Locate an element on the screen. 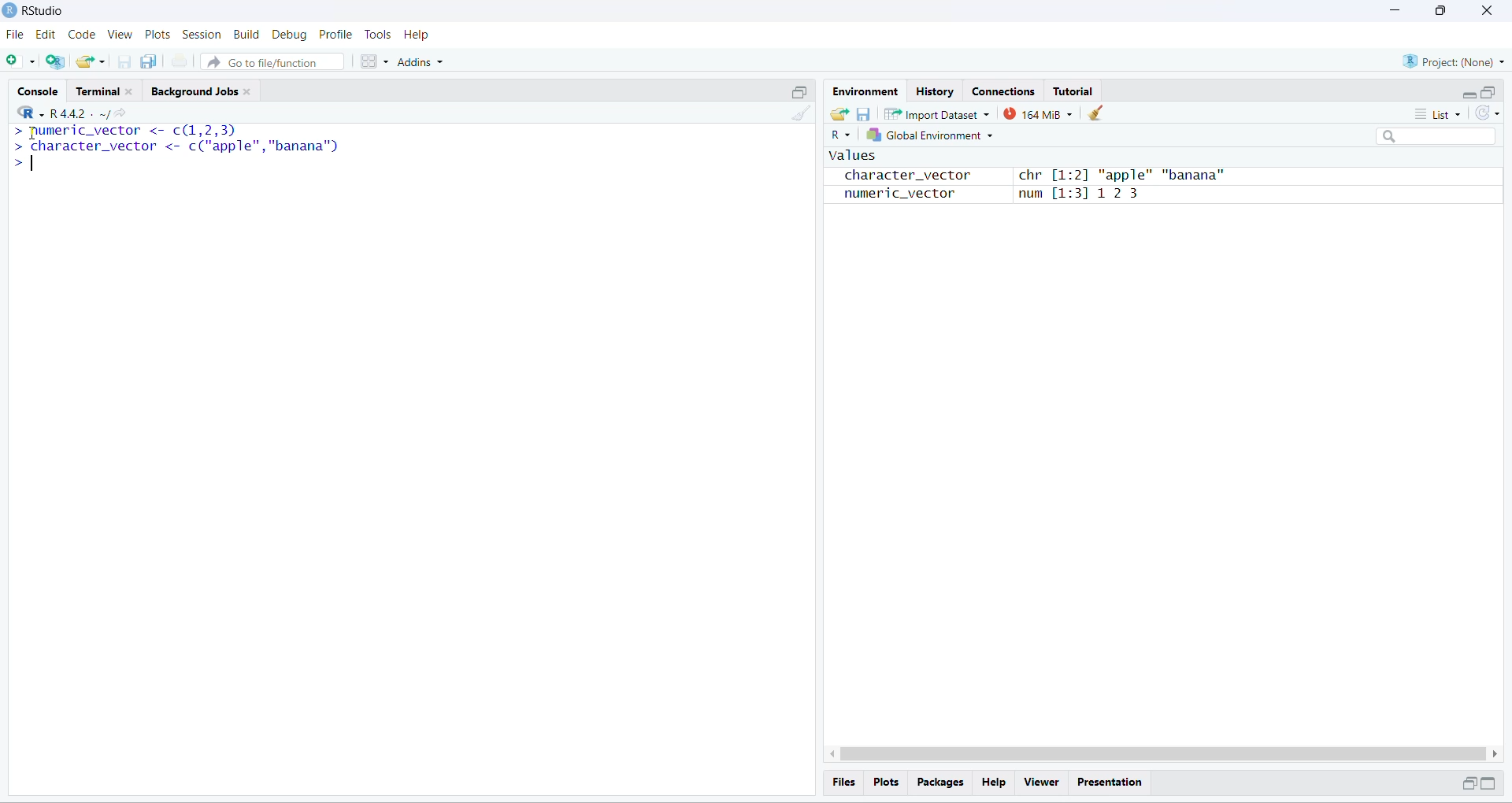 Image resolution: width=1512 pixels, height=803 pixels. Code is located at coordinates (80, 35).